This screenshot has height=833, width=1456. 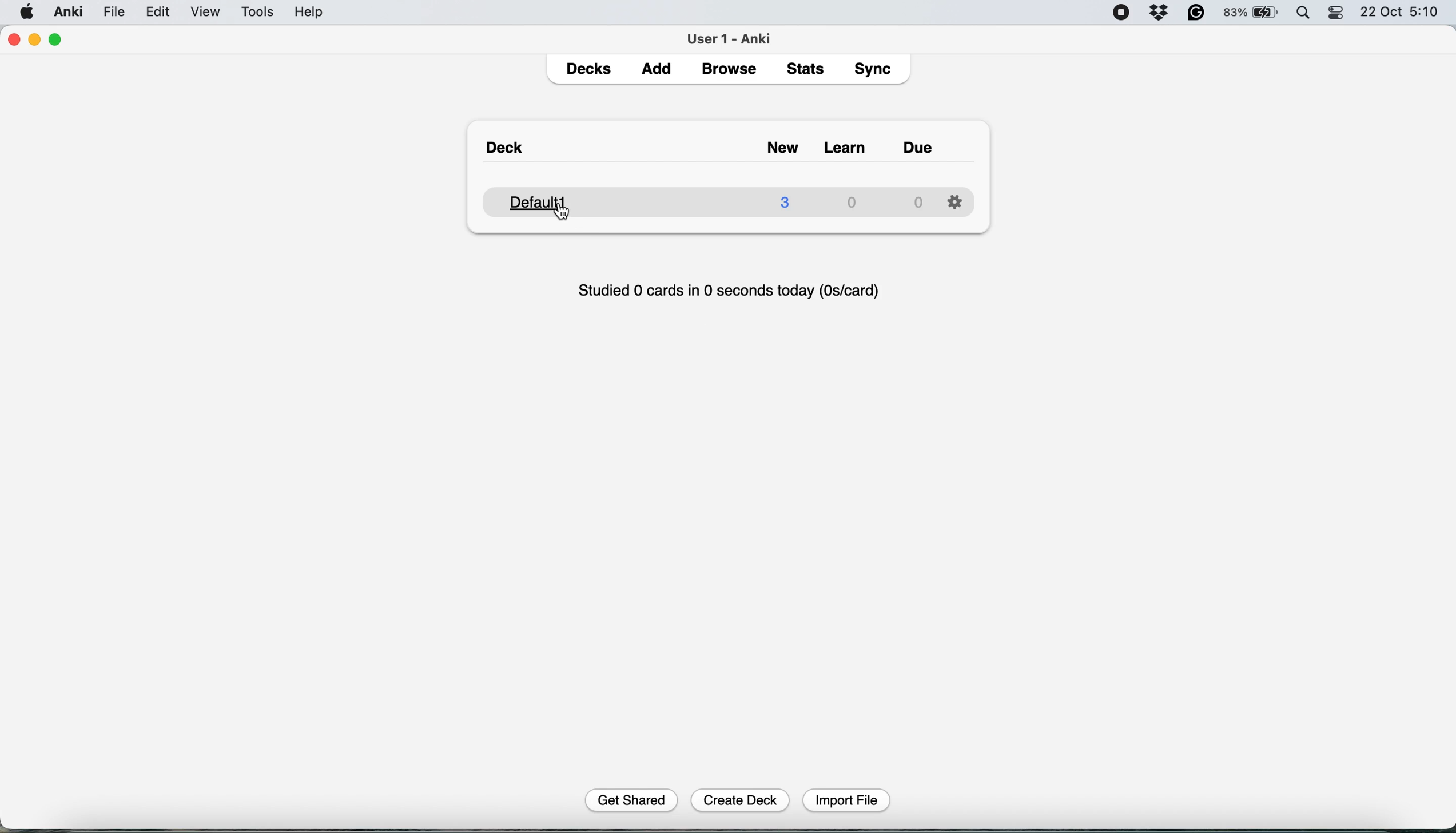 I want to click on due, so click(x=920, y=147).